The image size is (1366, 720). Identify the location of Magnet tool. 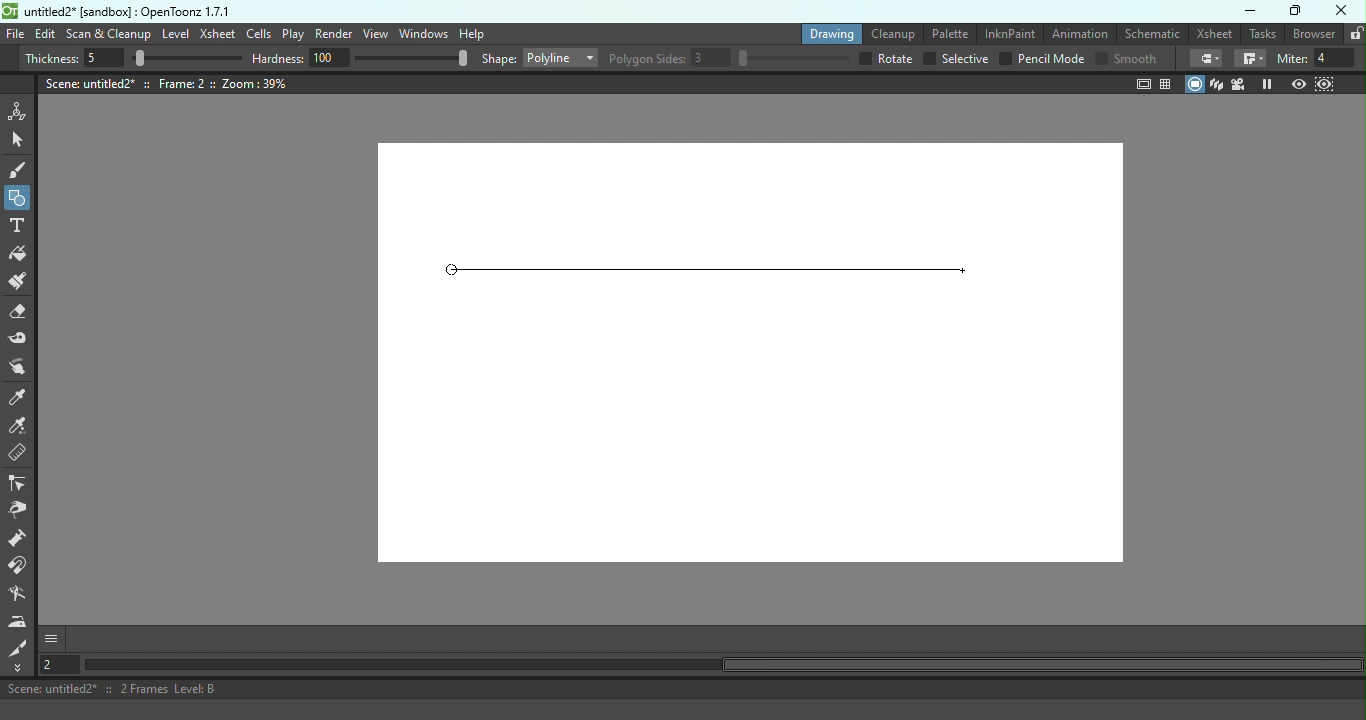
(21, 568).